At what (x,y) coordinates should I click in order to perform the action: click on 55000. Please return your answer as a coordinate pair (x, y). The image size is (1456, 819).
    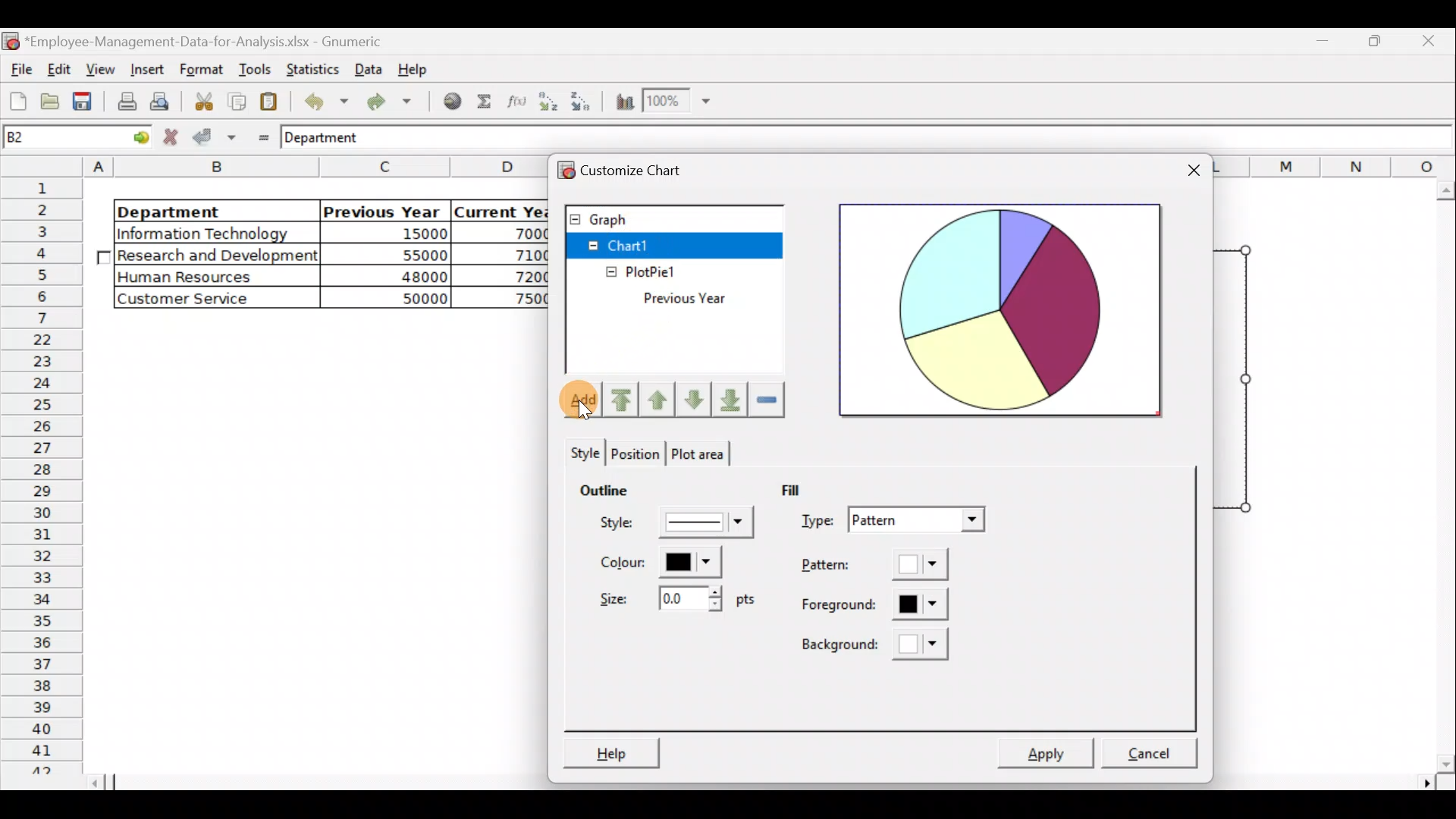
    Looking at the image, I should click on (416, 255).